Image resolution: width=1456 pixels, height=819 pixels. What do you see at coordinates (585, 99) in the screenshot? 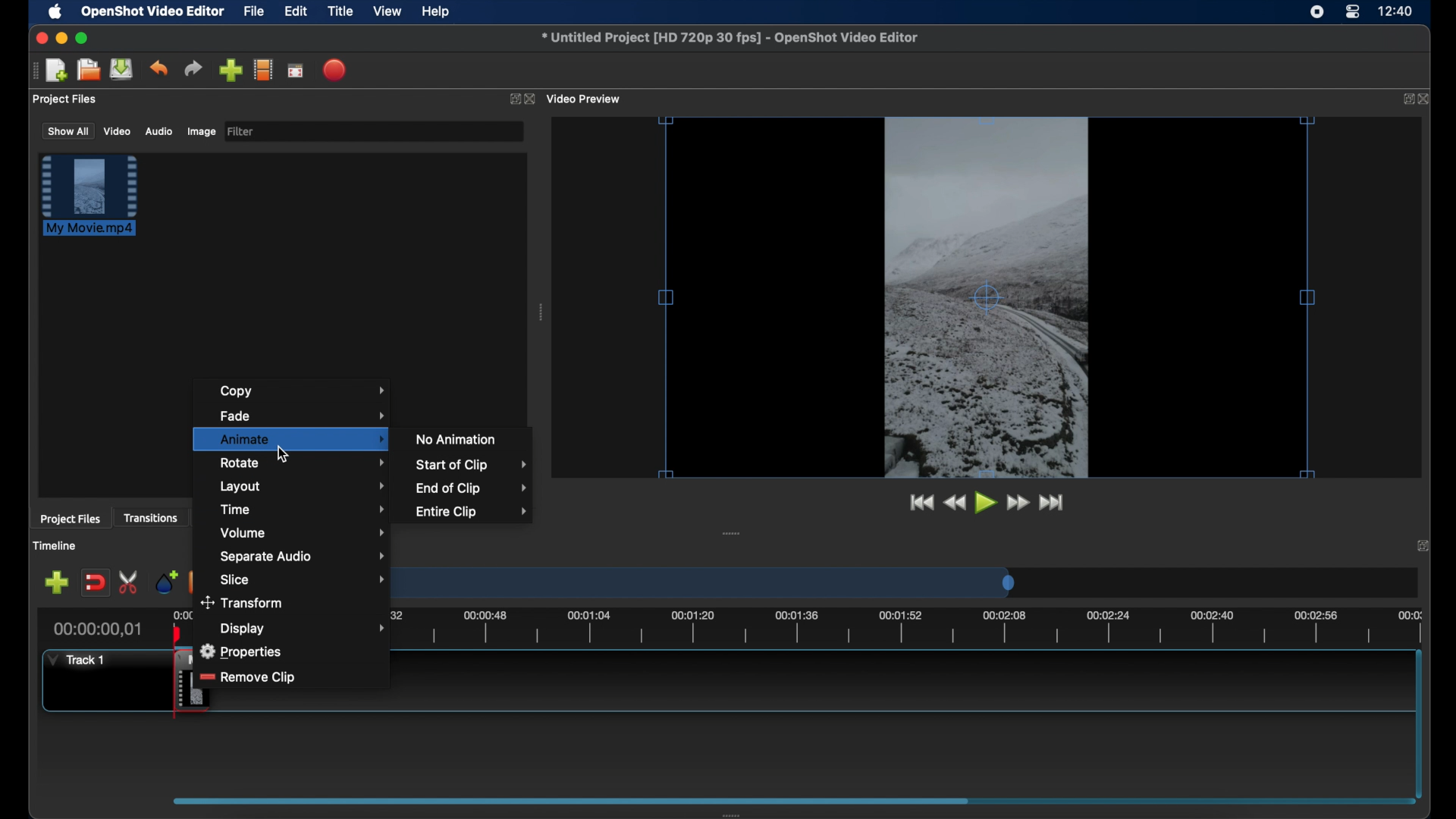
I see `video preview` at bounding box center [585, 99].